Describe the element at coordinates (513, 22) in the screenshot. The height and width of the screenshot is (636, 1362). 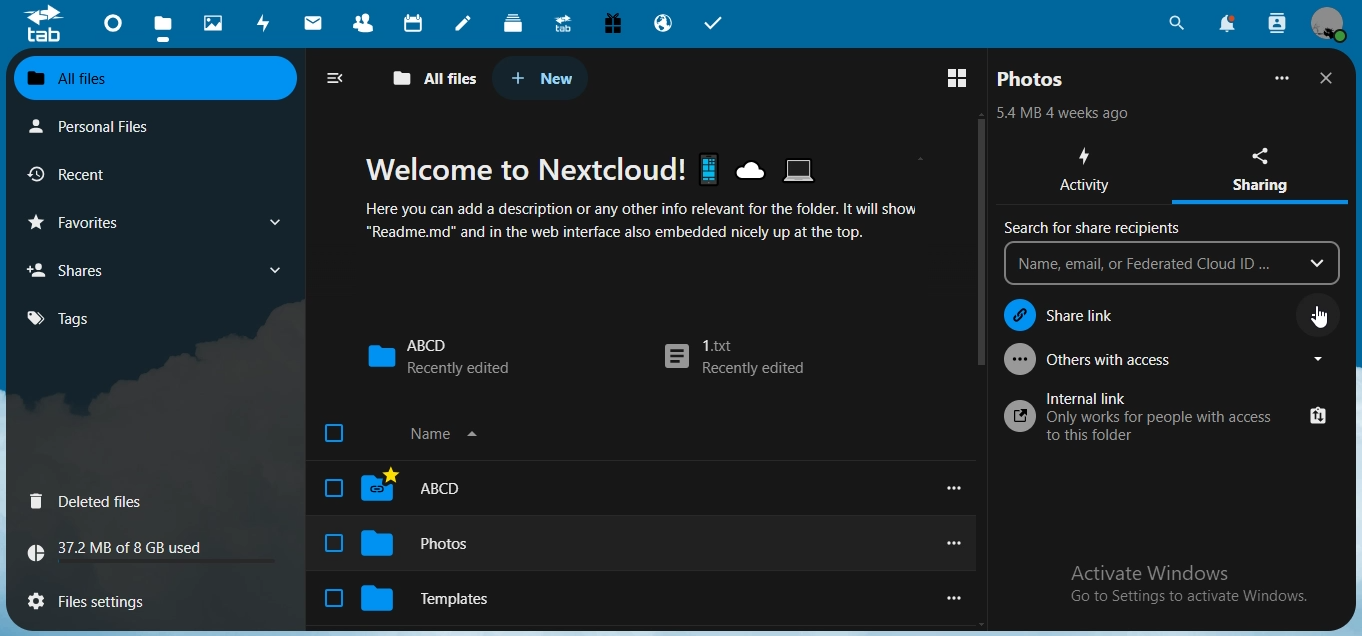
I see `deck` at that location.